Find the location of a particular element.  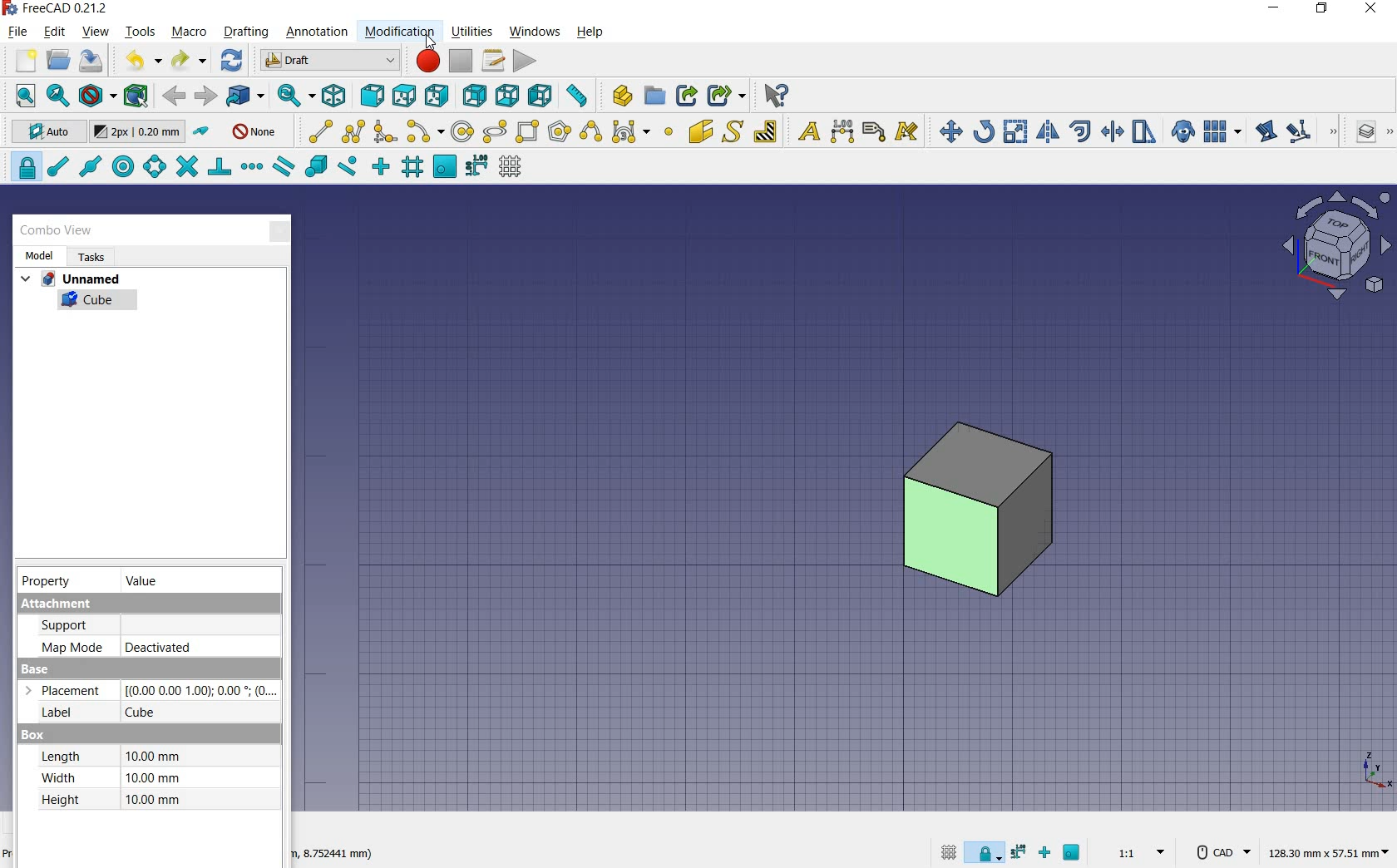

change default size for new objects is located at coordinates (137, 132).